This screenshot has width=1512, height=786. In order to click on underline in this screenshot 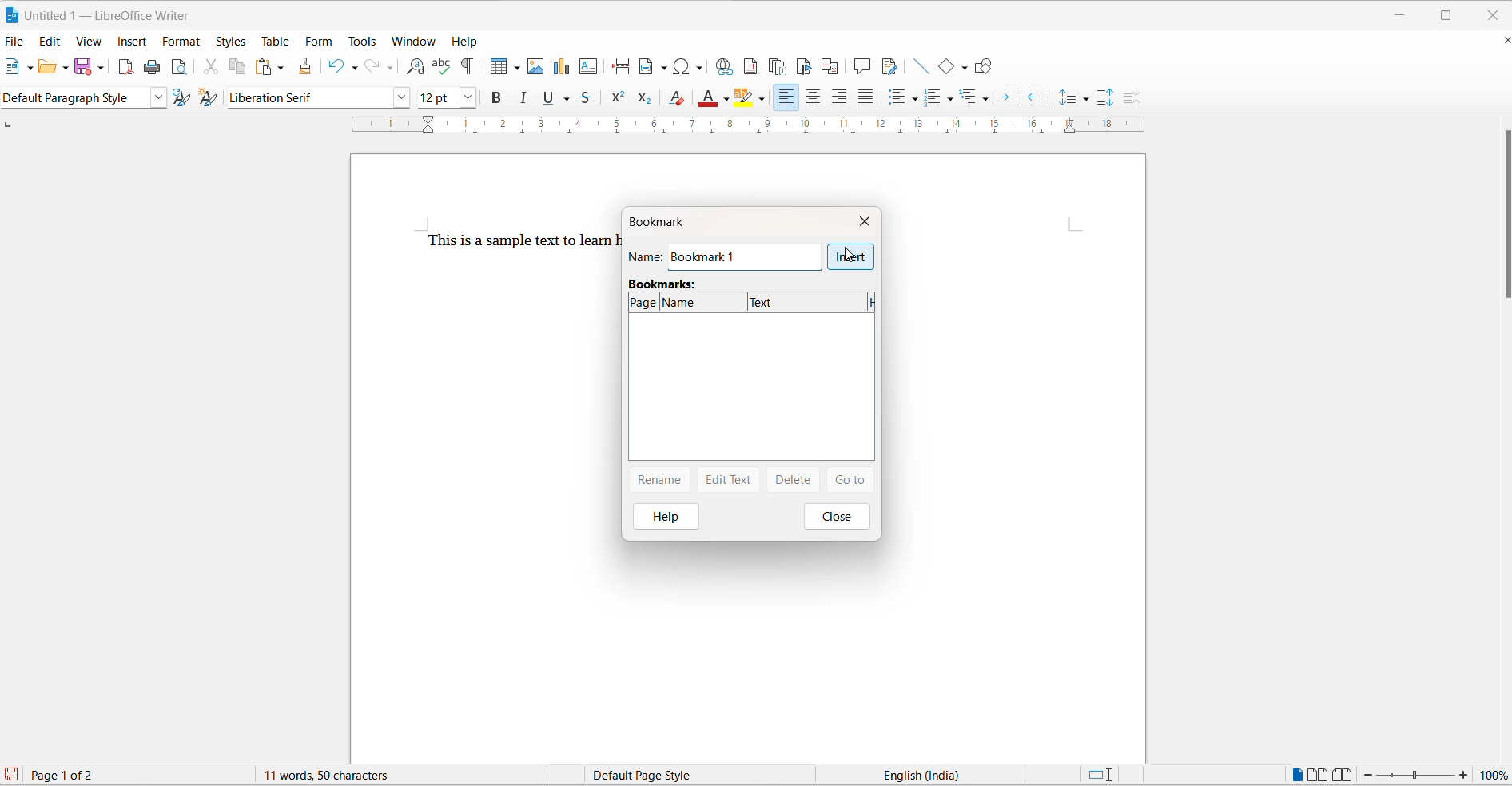, I will do `click(550, 99)`.